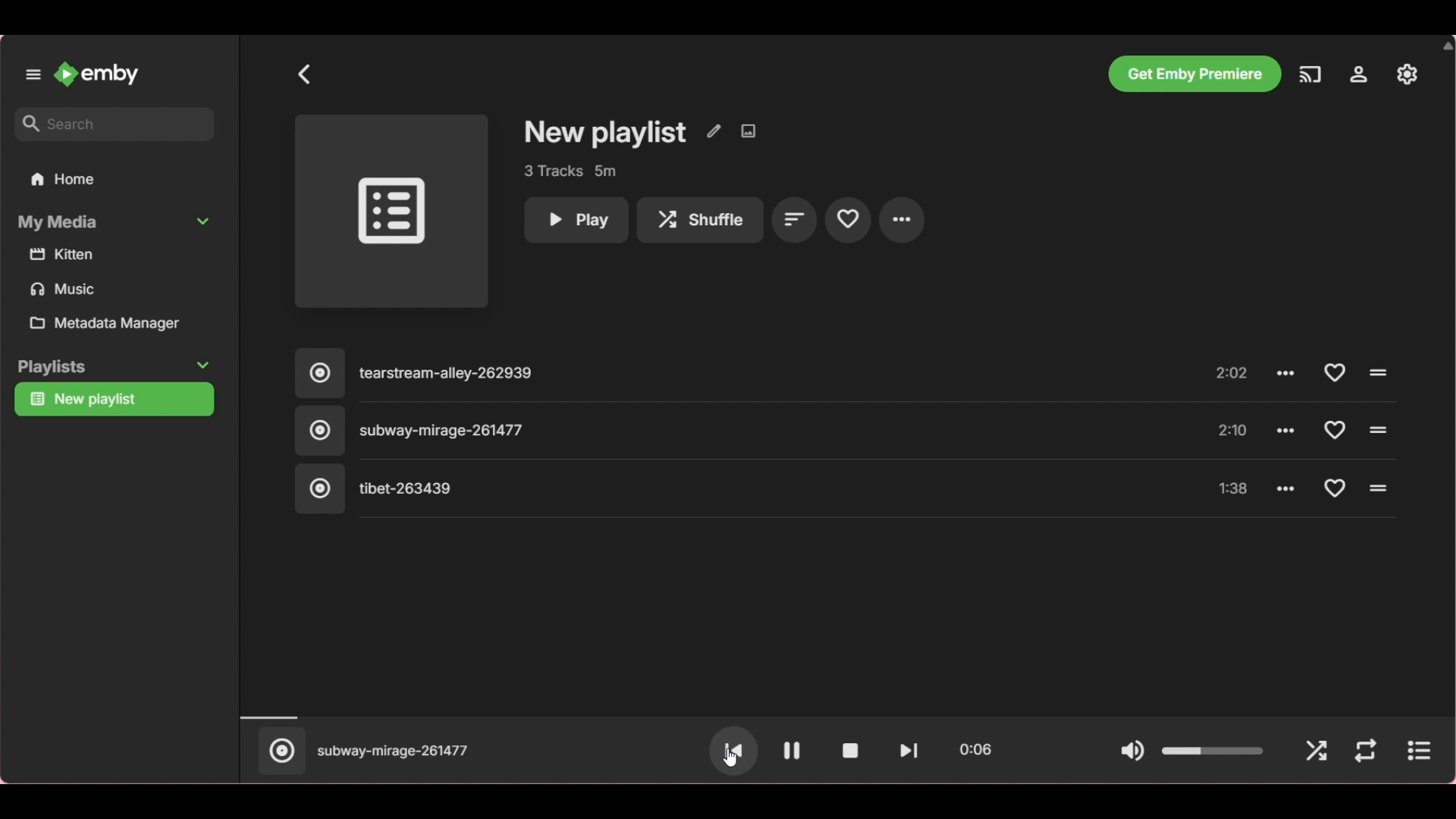 This screenshot has height=819, width=1456. I want to click on Sort by playlist order, so click(795, 219).